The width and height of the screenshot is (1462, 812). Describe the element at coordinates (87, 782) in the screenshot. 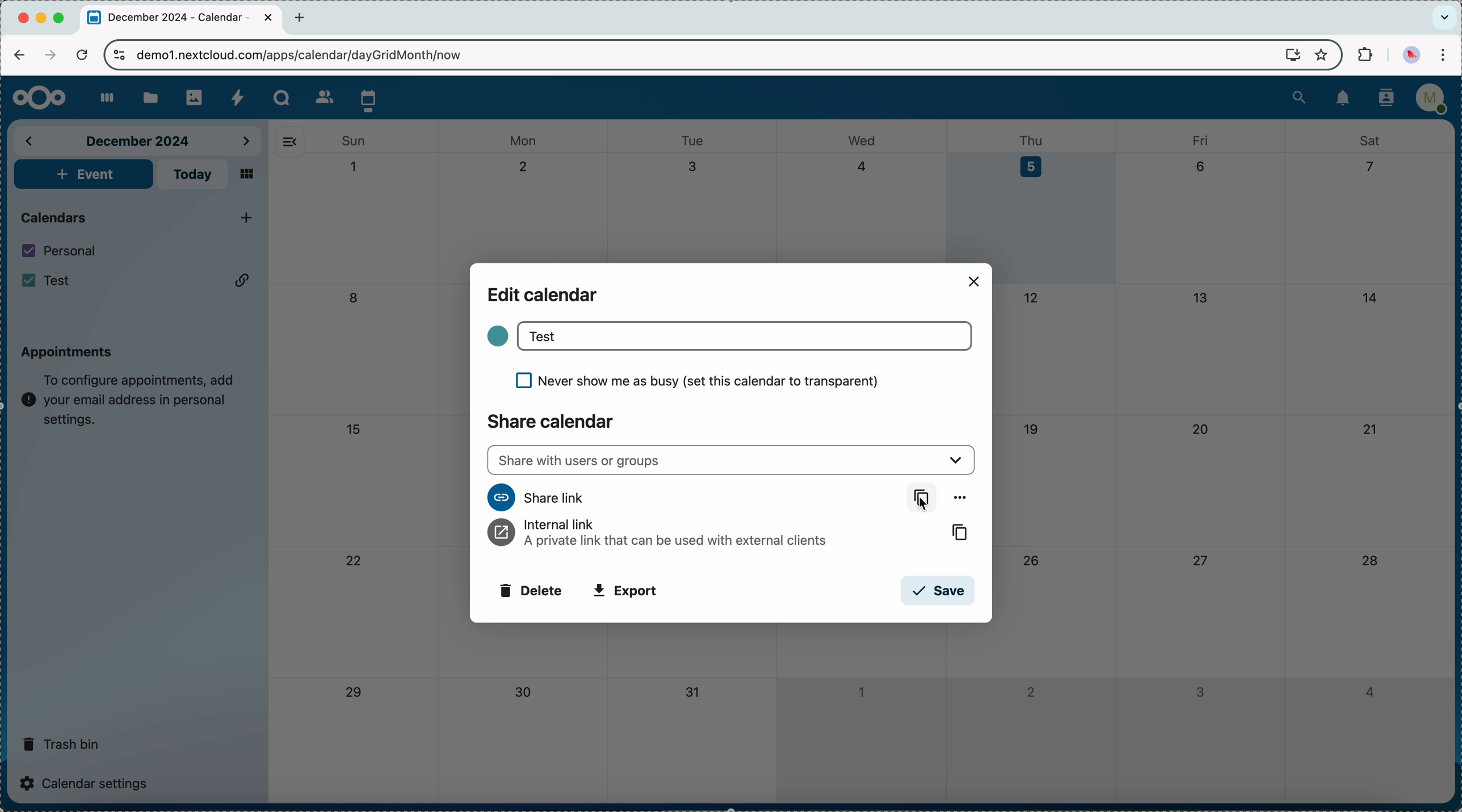

I see `calendar settings` at that location.